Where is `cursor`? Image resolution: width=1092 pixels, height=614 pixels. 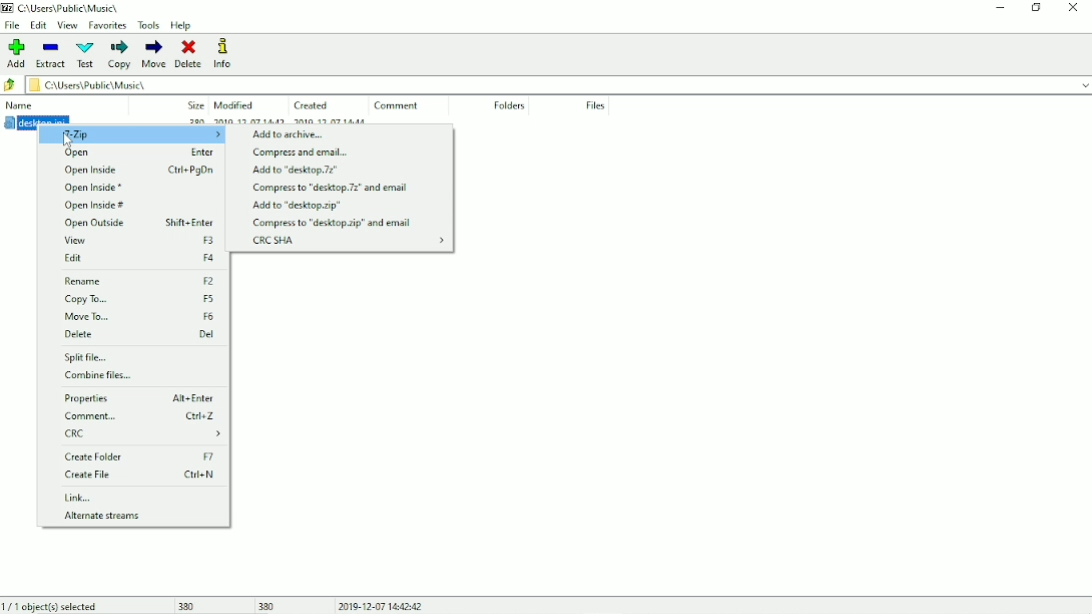 cursor is located at coordinates (71, 141).